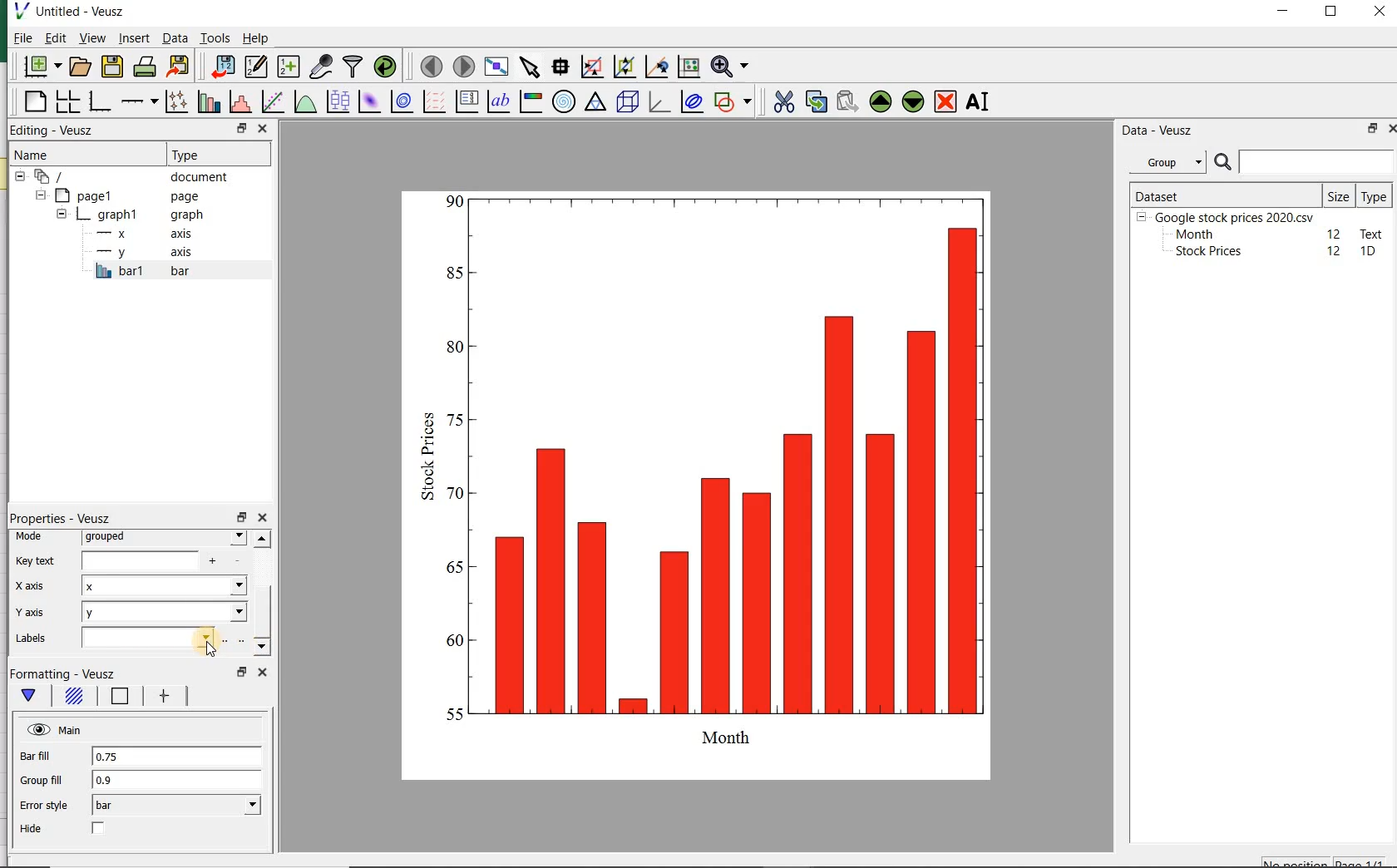 Image resolution: width=1397 pixels, height=868 pixels. Describe the element at coordinates (163, 537) in the screenshot. I see `grouped` at that location.